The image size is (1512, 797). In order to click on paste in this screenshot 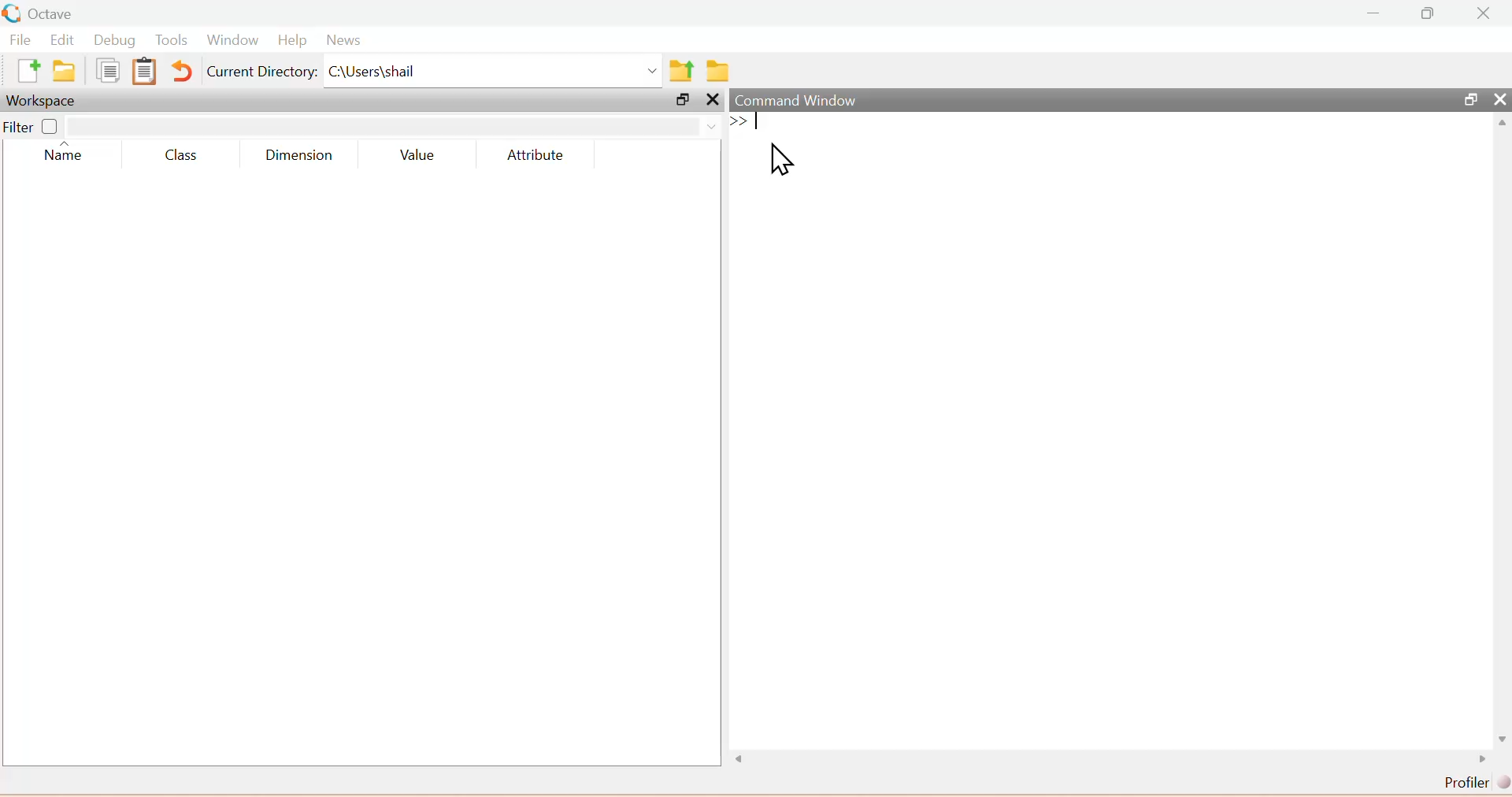, I will do `click(144, 71)`.